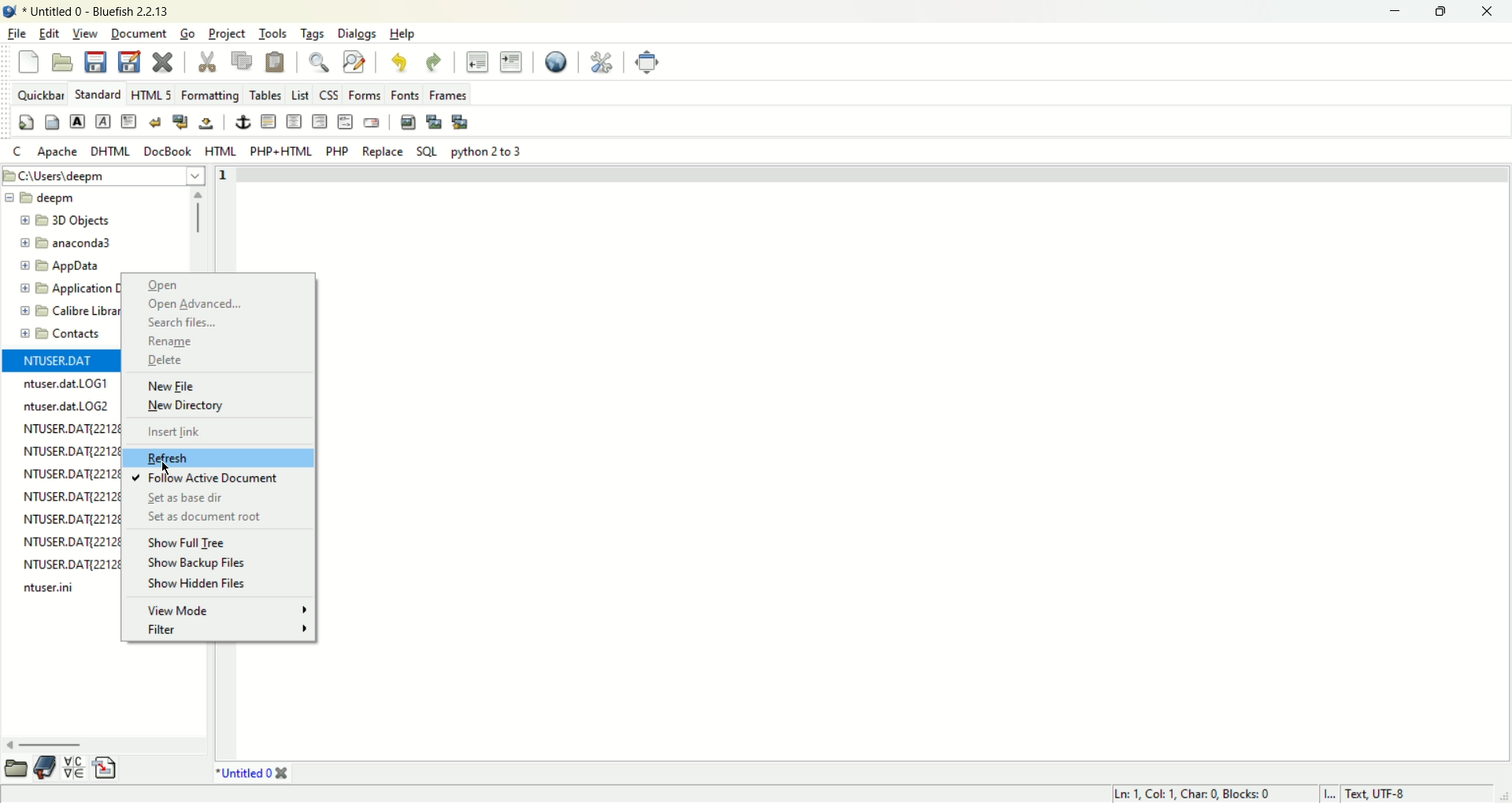 This screenshot has height=803, width=1512. I want to click on horizontal rule, so click(270, 120).